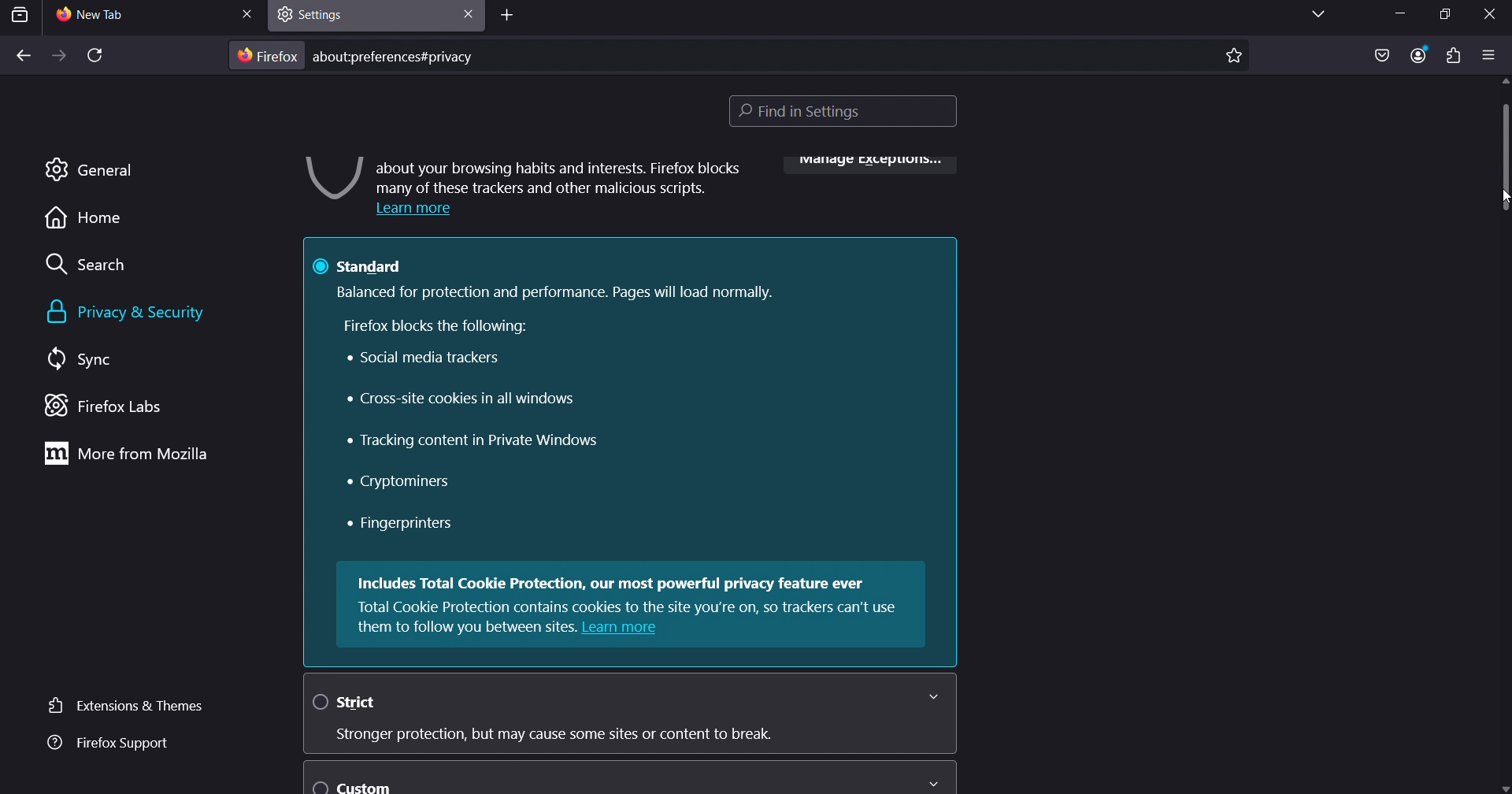  I want to click on search, so click(94, 267).